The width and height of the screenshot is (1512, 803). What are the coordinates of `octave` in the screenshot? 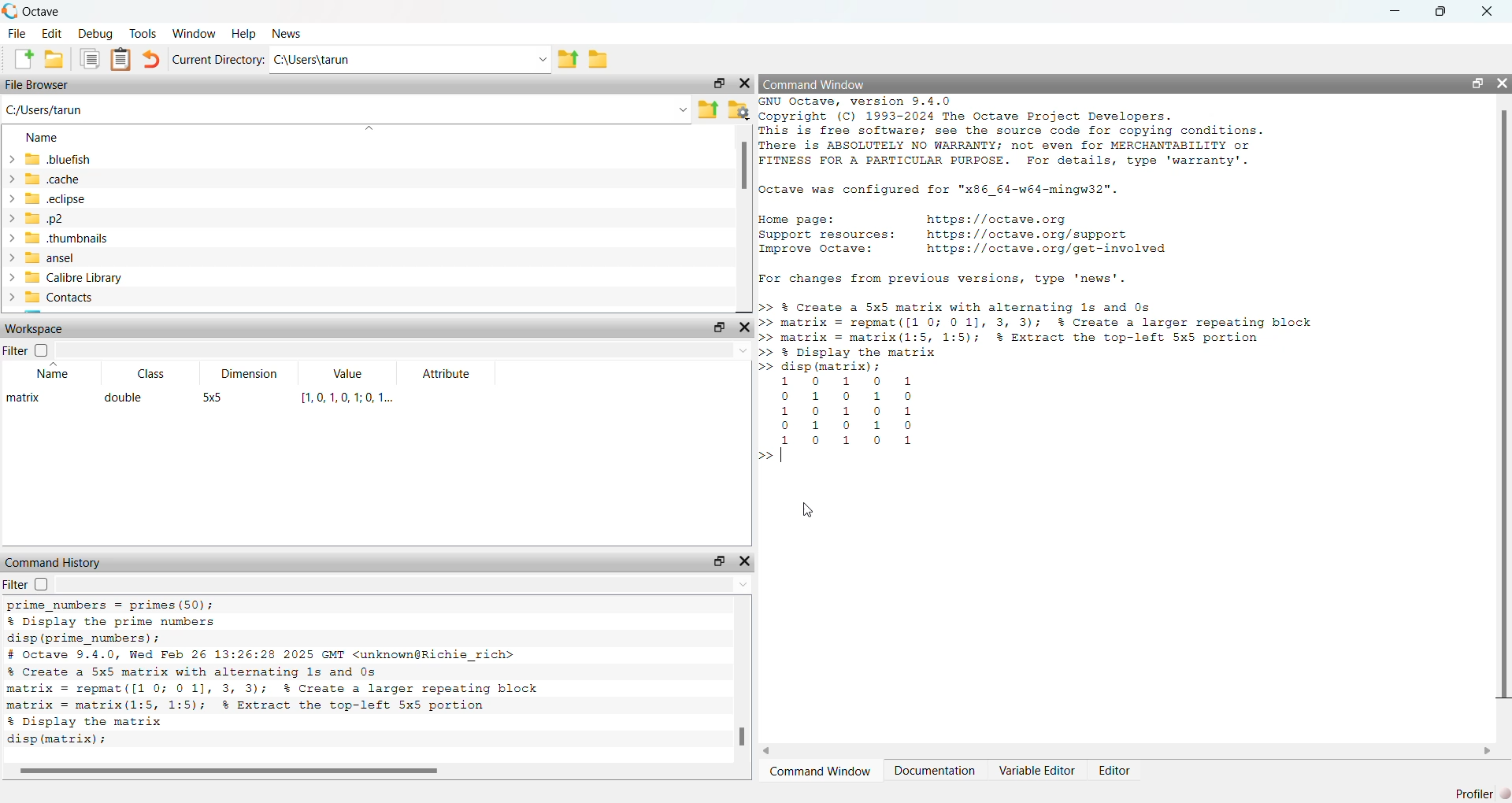 It's located at (44, 12).